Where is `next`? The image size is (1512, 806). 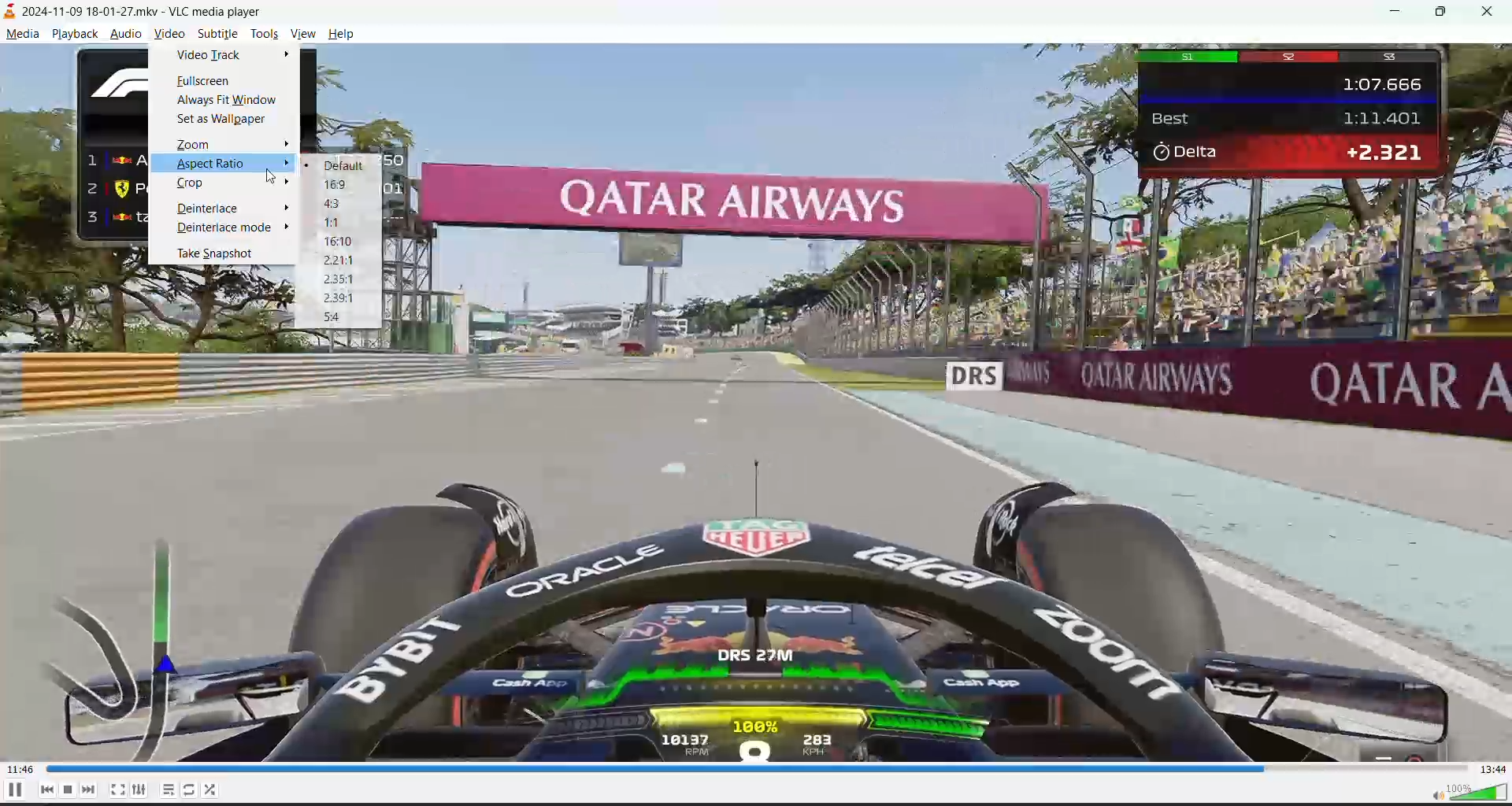 next is located at coordinates (91, 789).